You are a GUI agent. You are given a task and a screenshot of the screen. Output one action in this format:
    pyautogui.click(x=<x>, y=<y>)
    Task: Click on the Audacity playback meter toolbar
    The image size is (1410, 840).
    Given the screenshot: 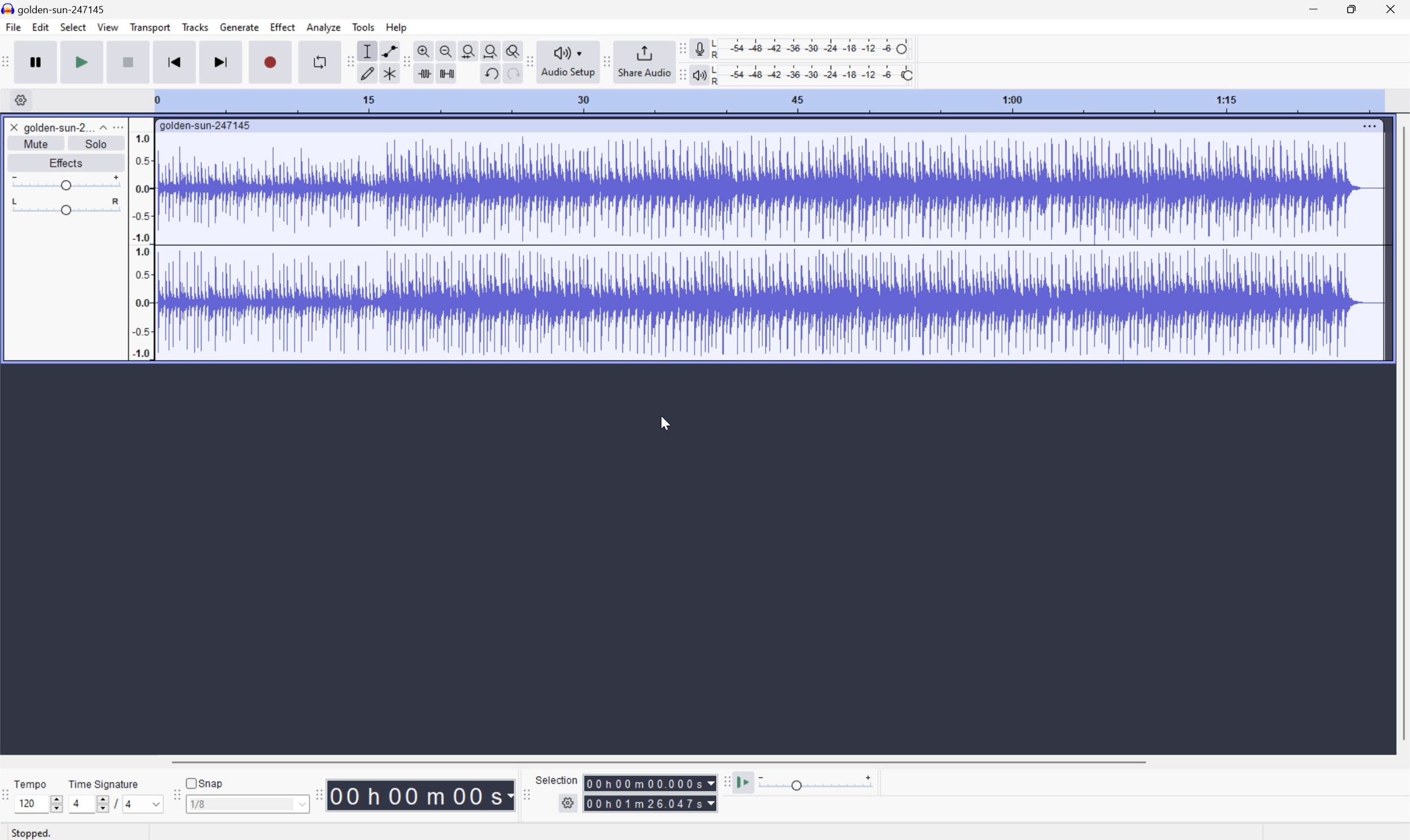 What is the action you would take?
    pyautogui.click(x=682, y=74)
    